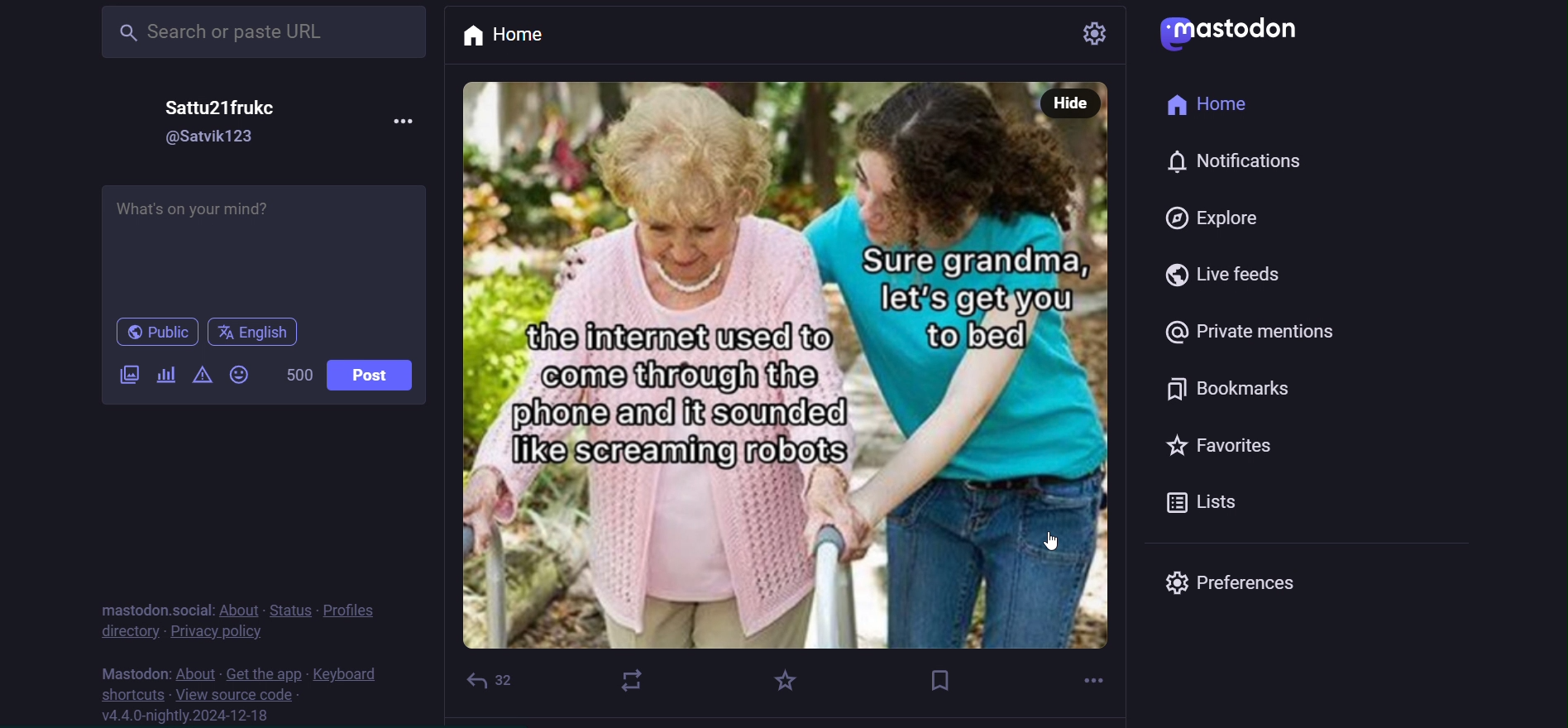 The image size is (1568, 728). What do you see at coordinates (1080, 32) in the screenshot?
I see `setting` at bounding box center [1080, 32].